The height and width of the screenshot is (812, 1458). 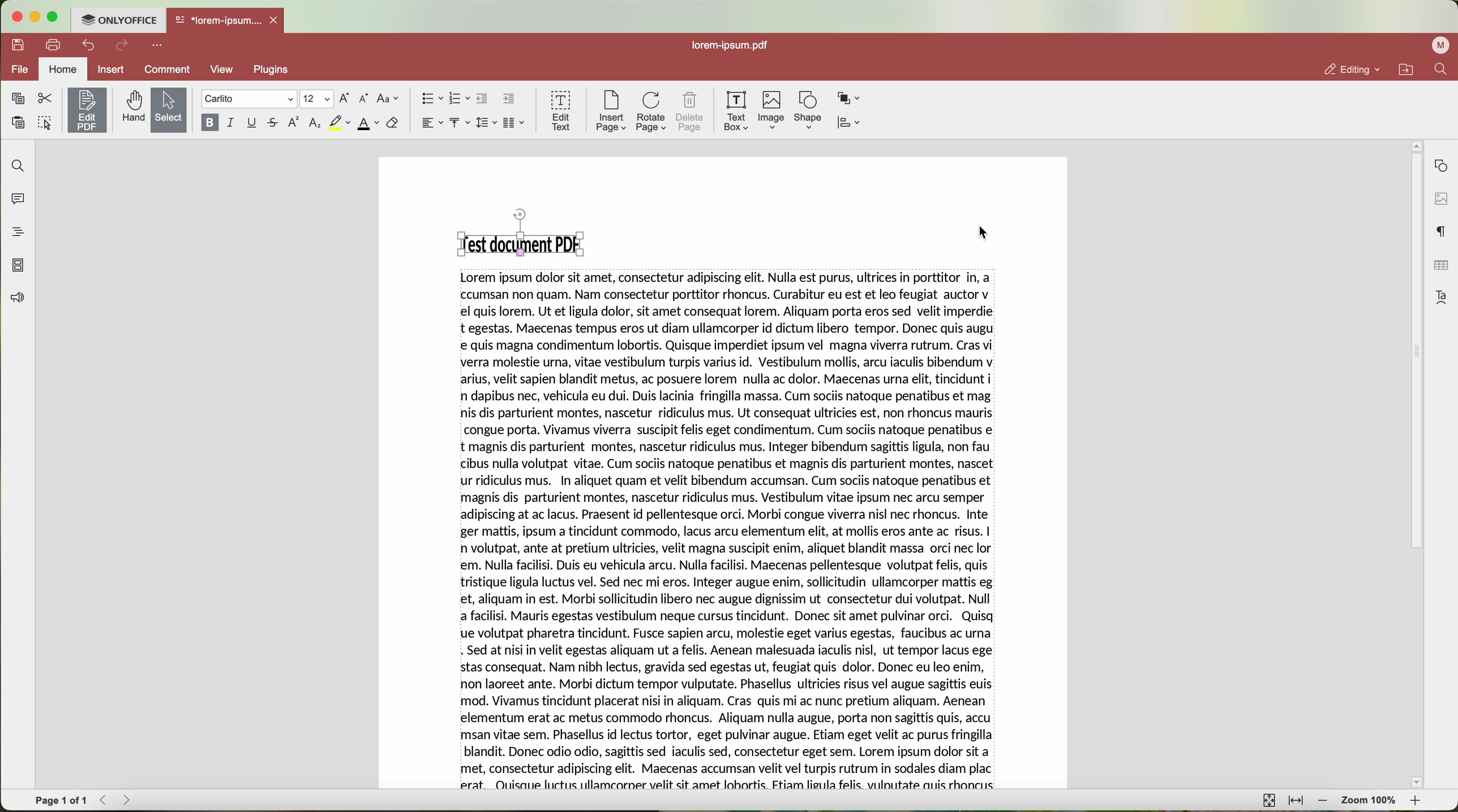 What do you see at coordinates (516, 242) in the screenshot?
I see `Test document PDF` at bounding box center [516, 242].